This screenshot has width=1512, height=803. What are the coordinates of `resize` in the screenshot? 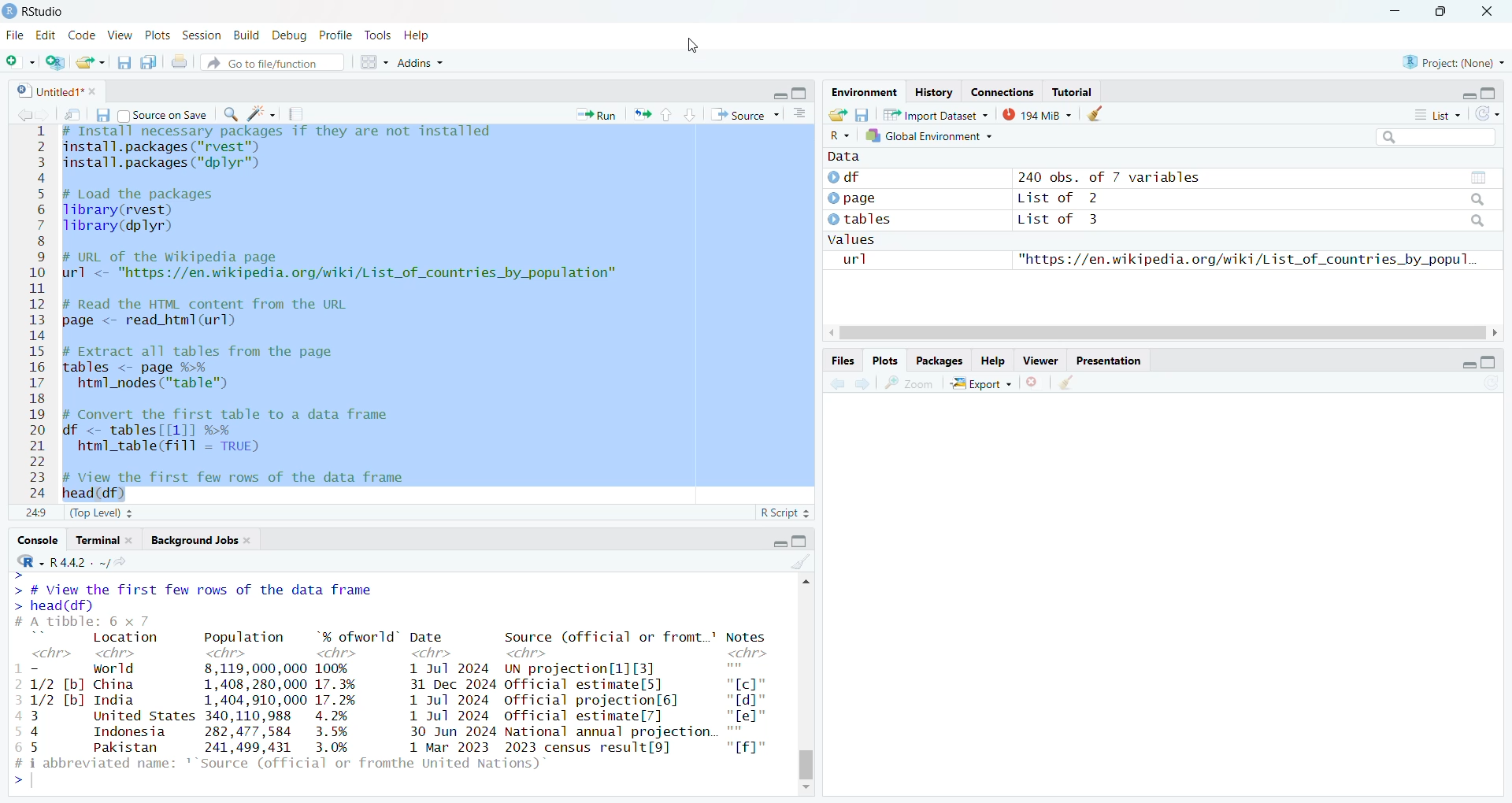 It's located at (1440, 12).